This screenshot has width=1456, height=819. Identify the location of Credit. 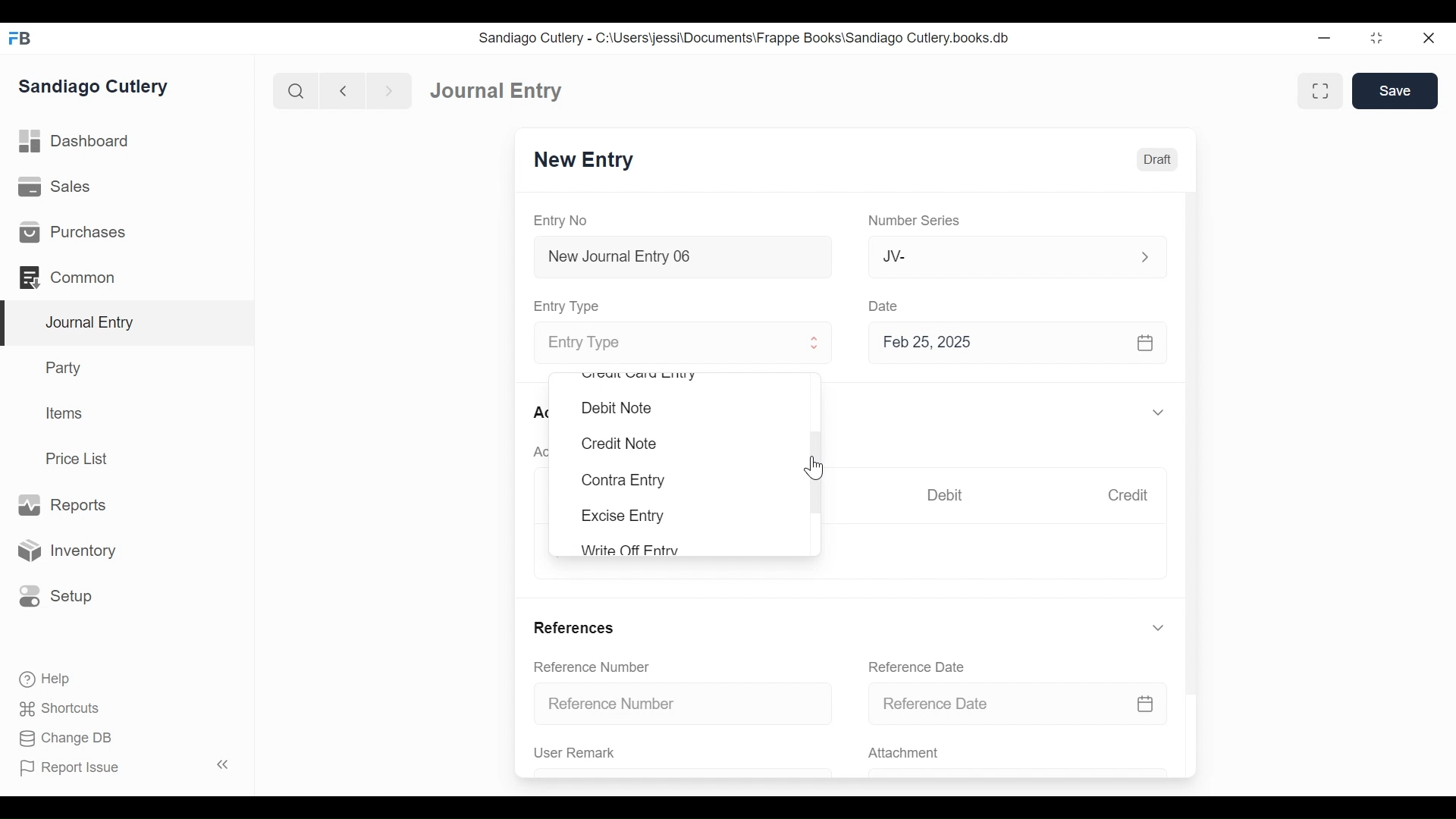
(1127, 495).